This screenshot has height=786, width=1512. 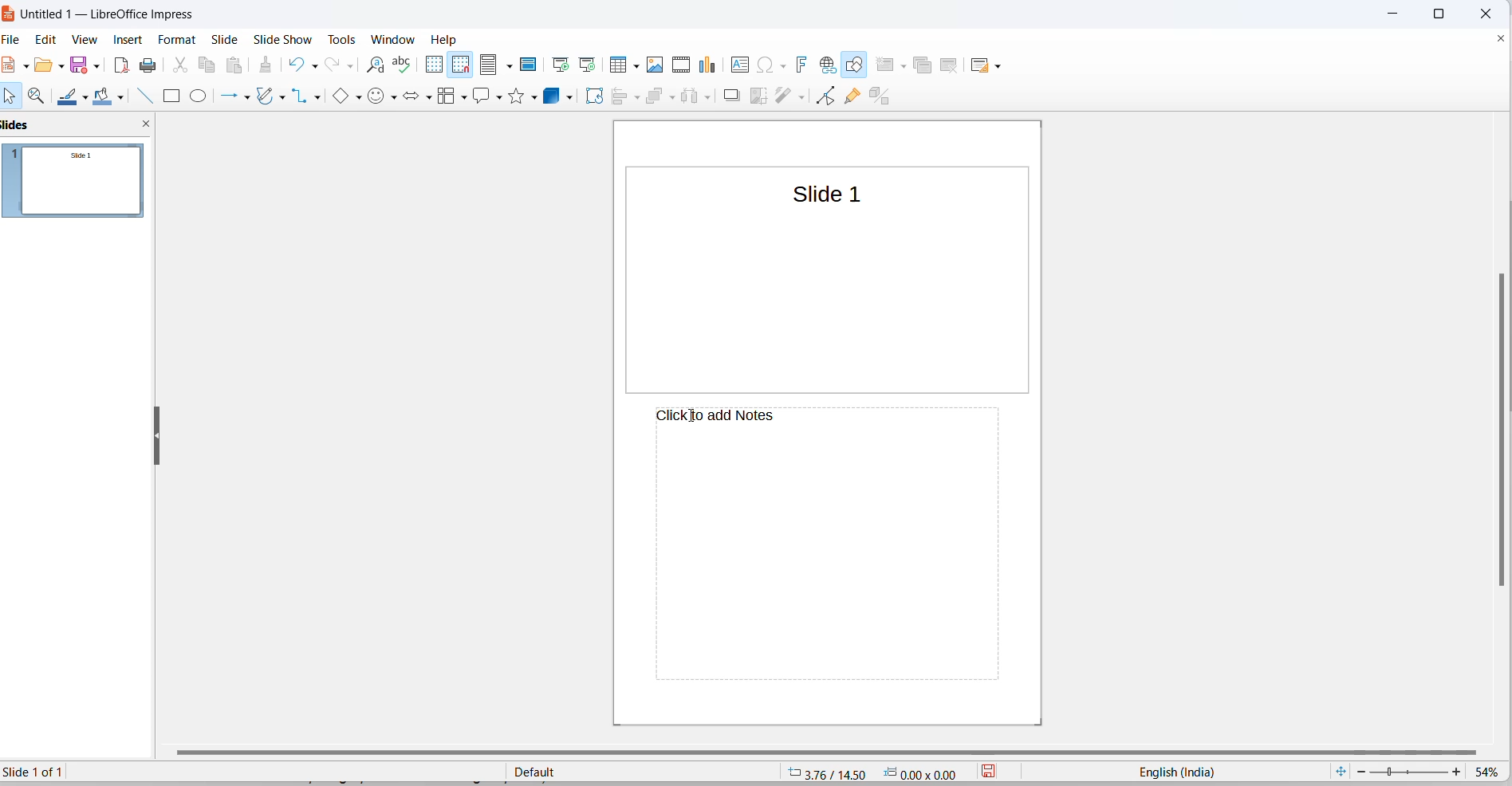 I want to click on slide layout, so click(x=982, y=64).